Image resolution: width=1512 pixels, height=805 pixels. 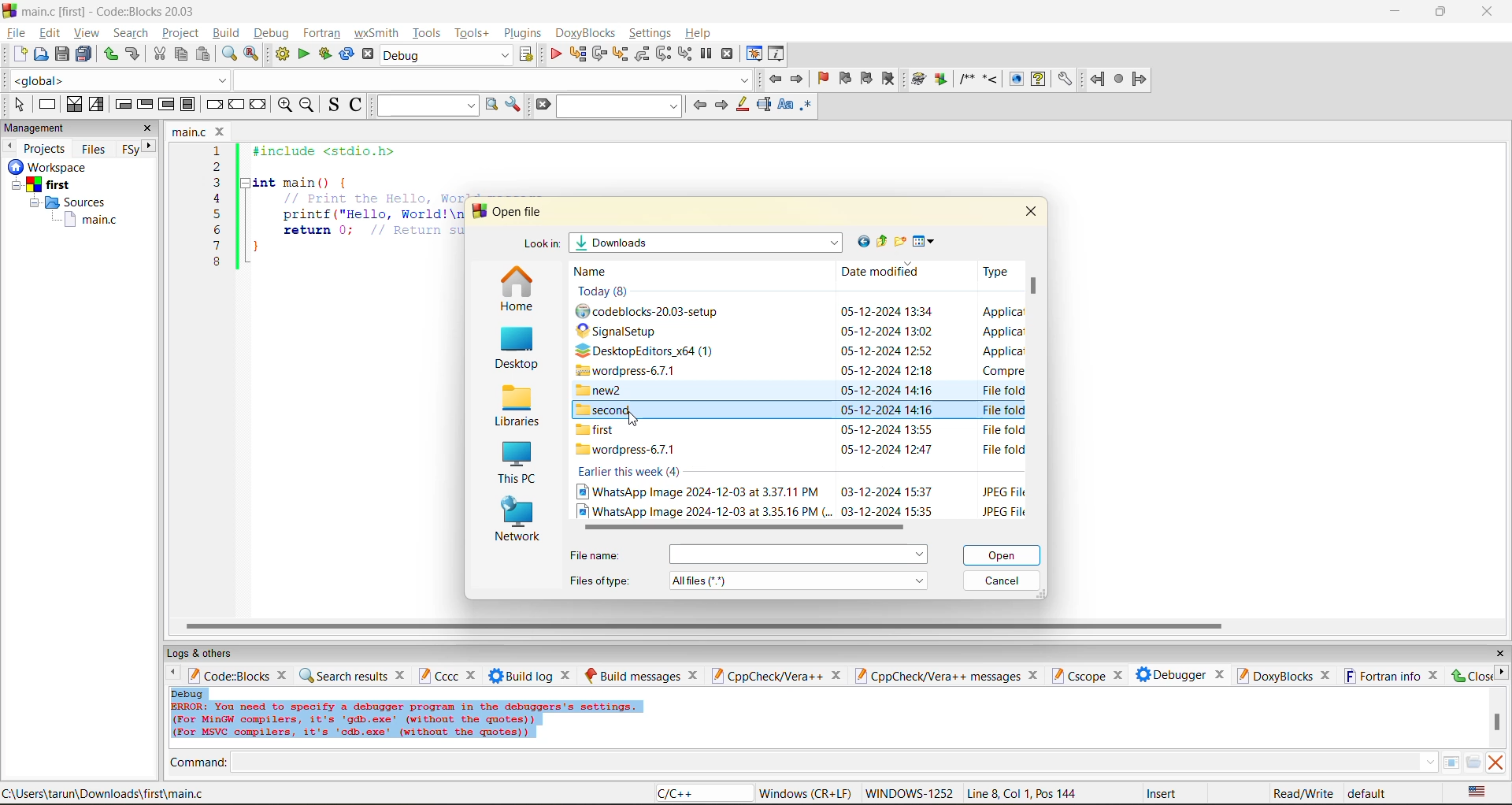 I want to click on create new folder, so click(x=902, y=241).